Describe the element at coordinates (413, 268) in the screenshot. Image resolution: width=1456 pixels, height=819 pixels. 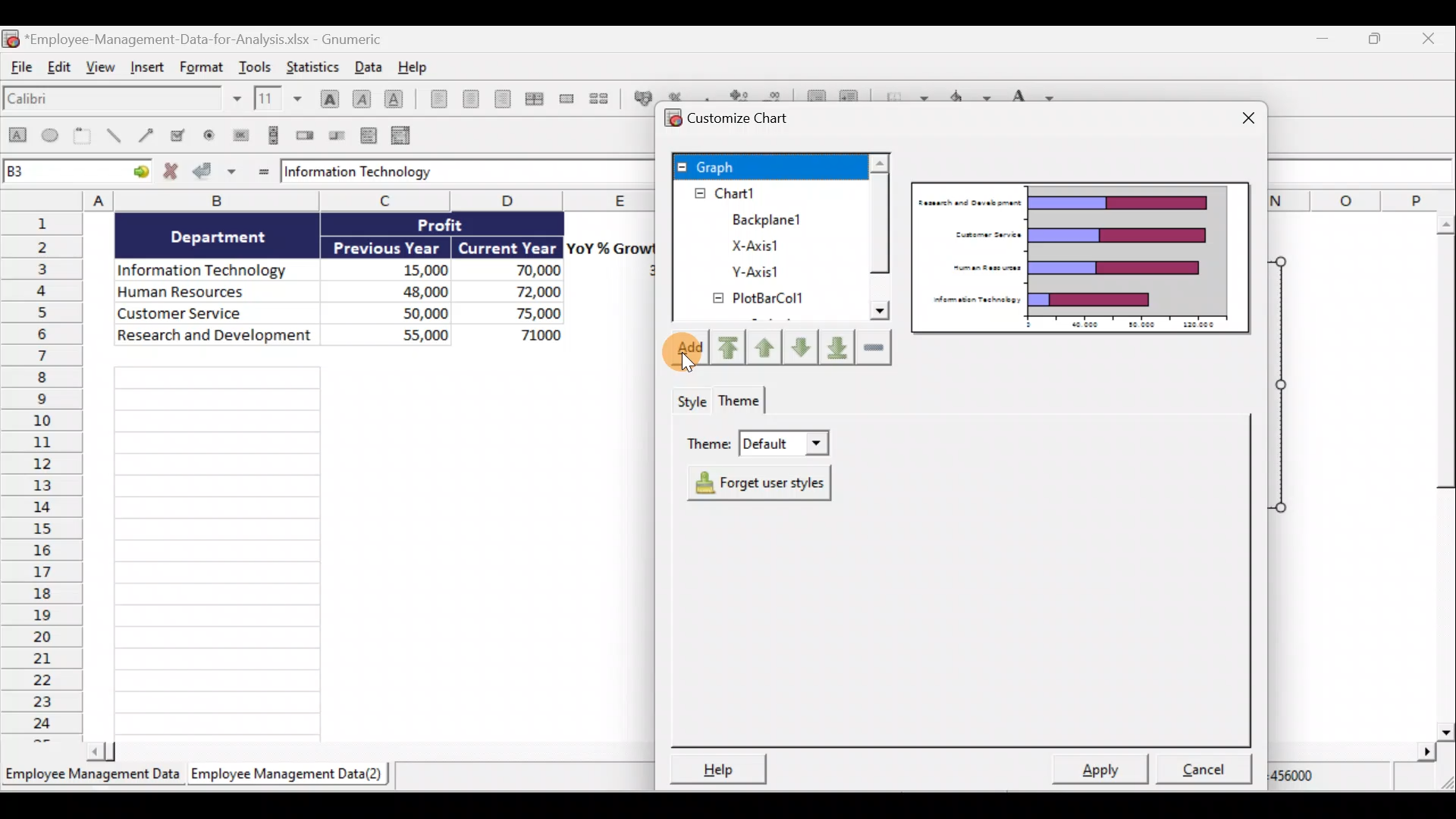
I see `15,000` at that location.